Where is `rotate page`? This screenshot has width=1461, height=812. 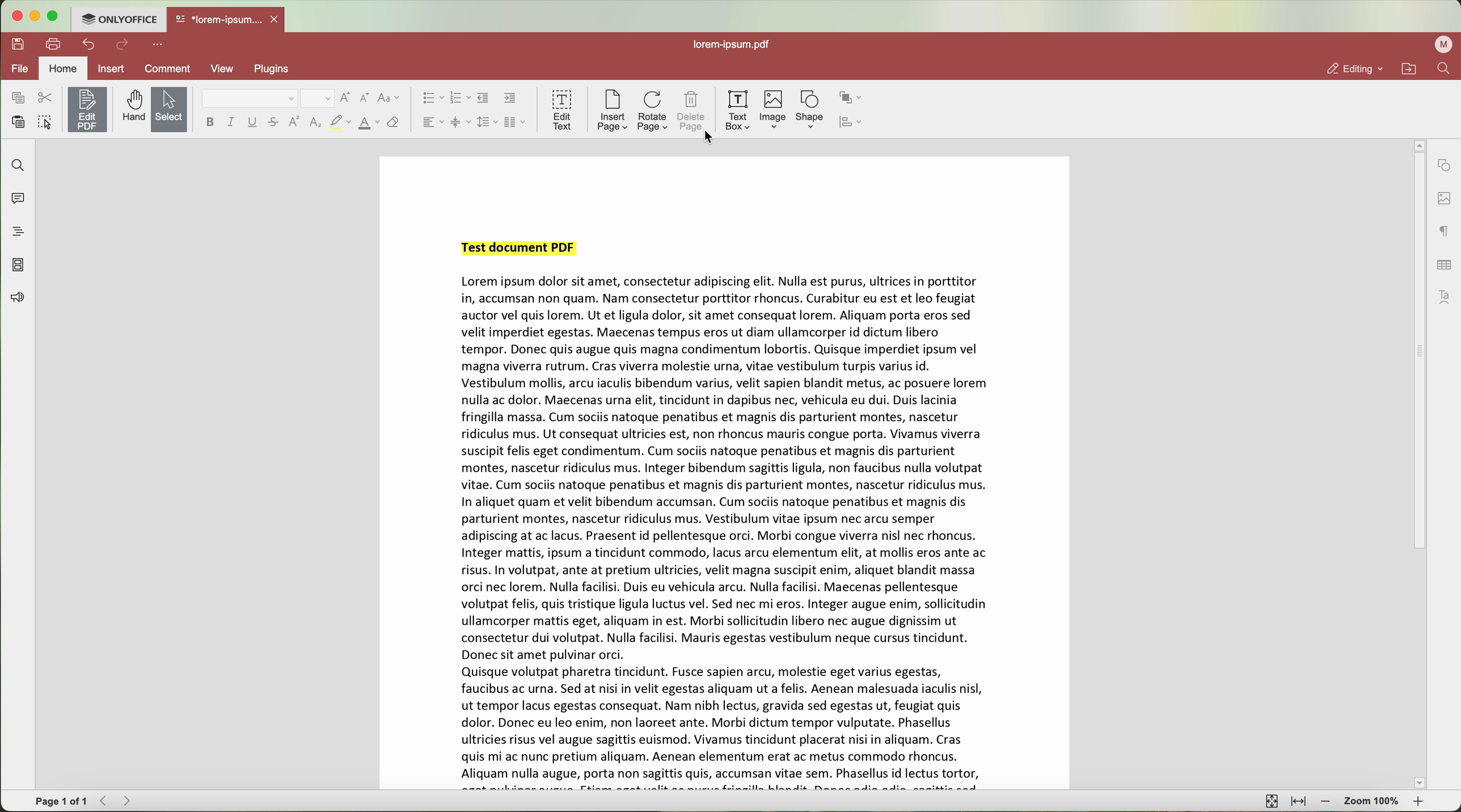 rotate page is located at coordinates (652, 112).